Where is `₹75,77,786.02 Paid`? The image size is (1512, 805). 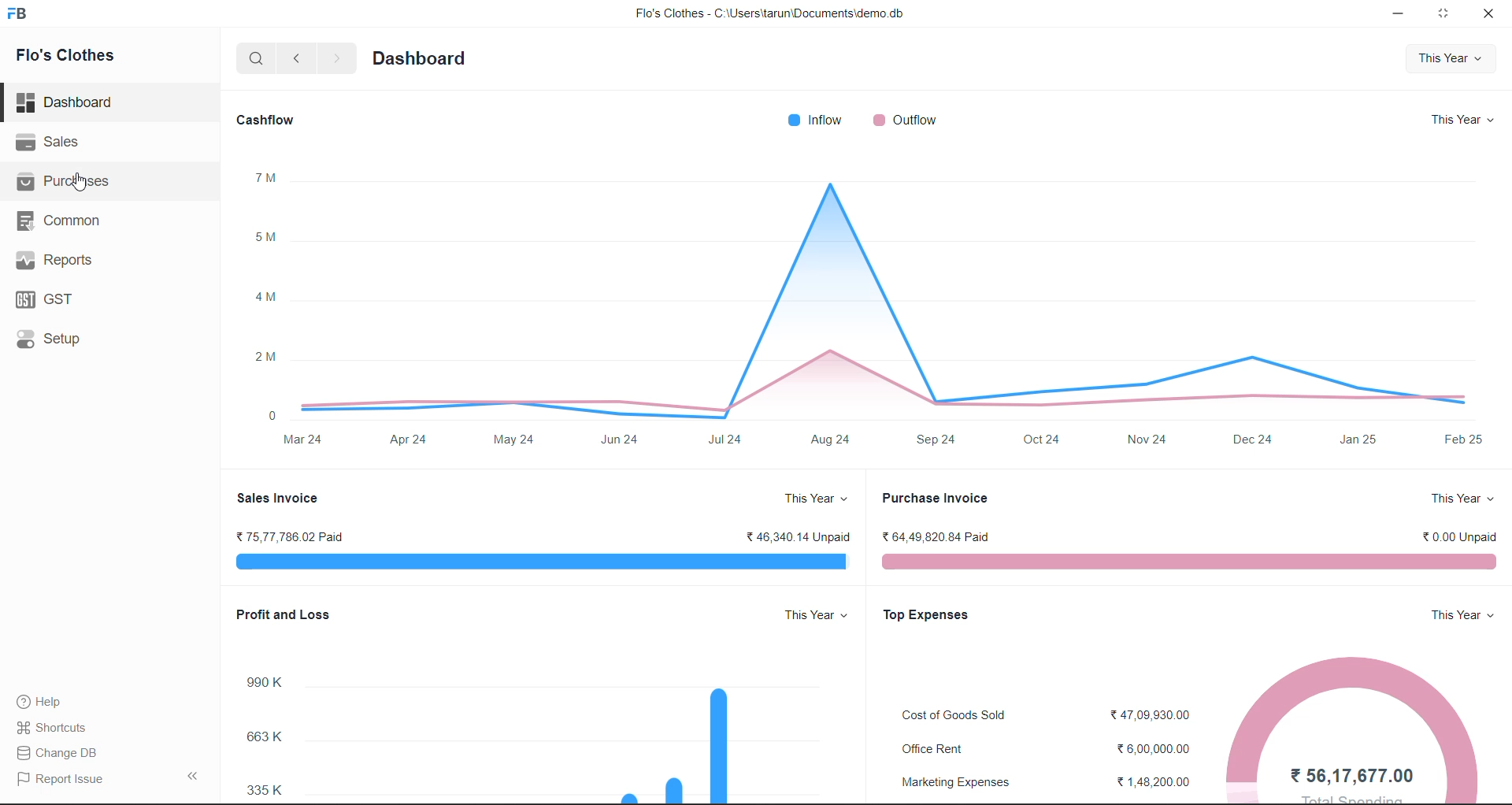 ₹75,77,786.02 Paid is located at coordinates (287, 540).